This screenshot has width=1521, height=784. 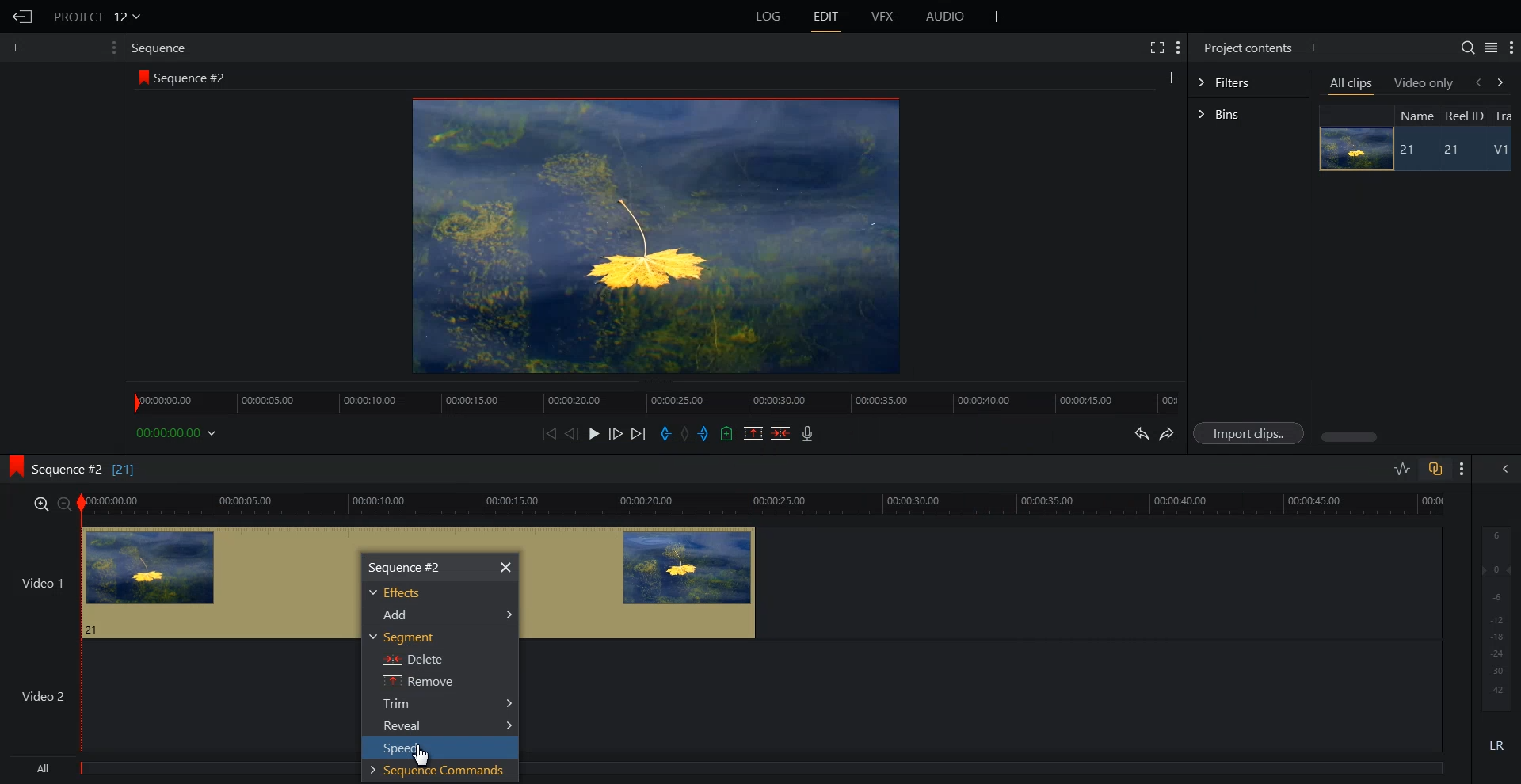 What do you see at coordinates (11, 464) in the screenshot?
I see `logo` at bounding box center [11, 464].